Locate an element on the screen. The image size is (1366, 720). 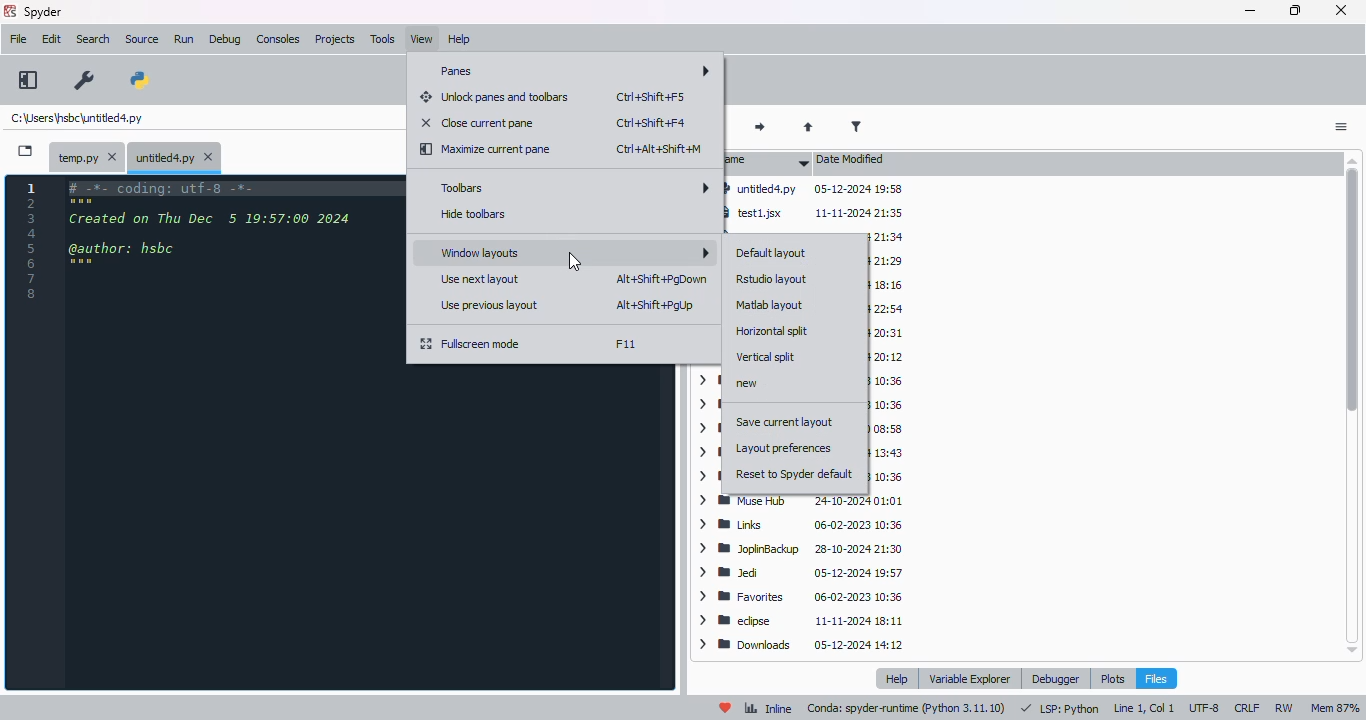
Favorites is located at coordinates (801, 598).